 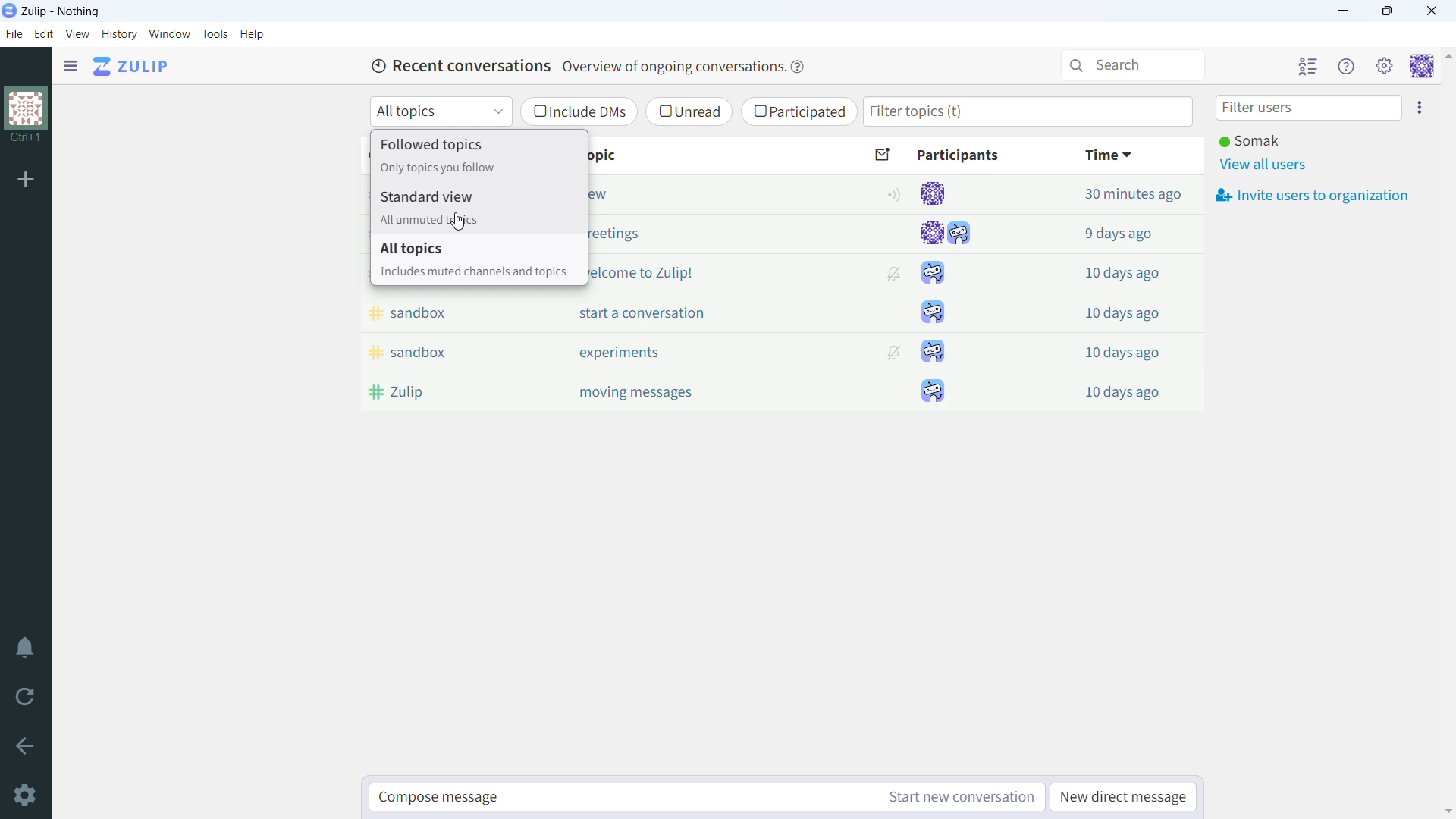 What do you see at coordinates (1123, 195) in the screenshot?
I see `30 minutes ago` at bounding box center [1123, 195].